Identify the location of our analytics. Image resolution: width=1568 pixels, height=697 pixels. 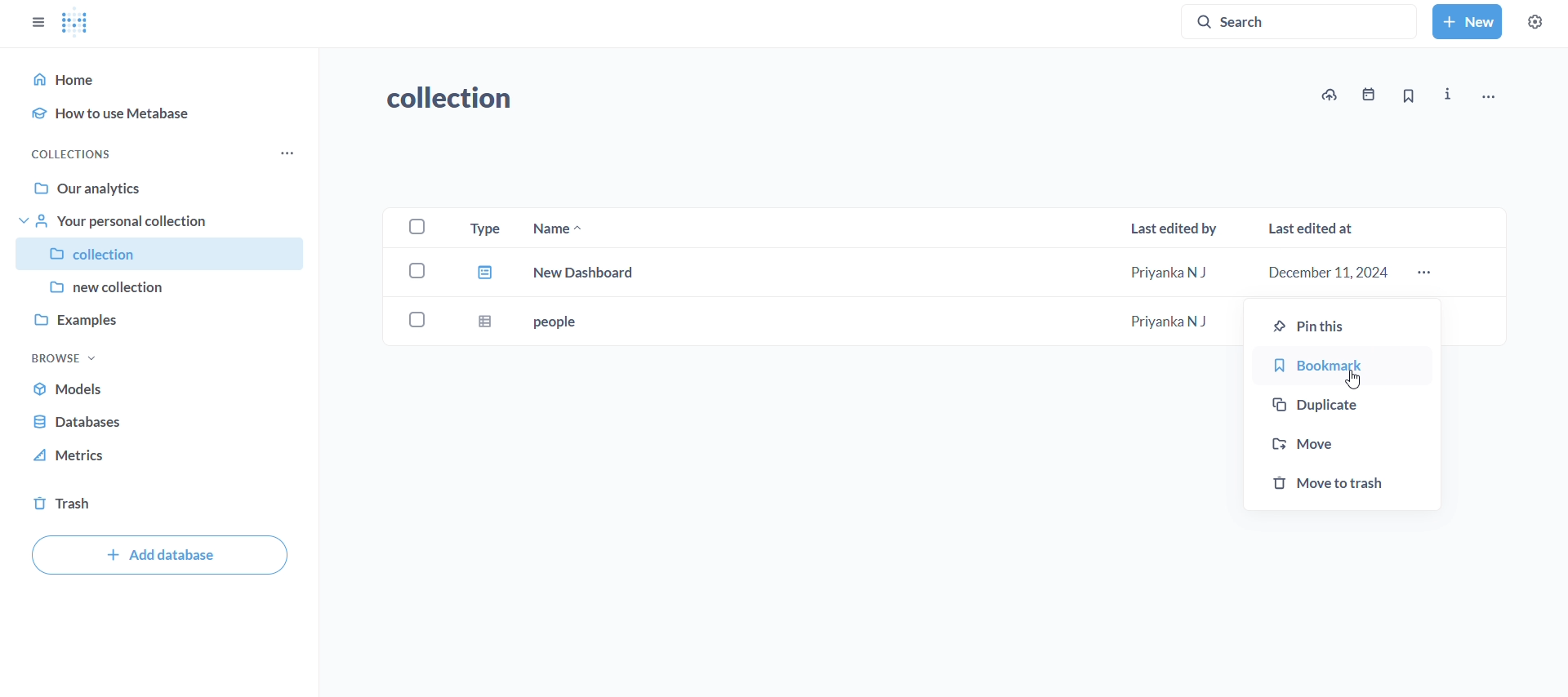
(163, 189).